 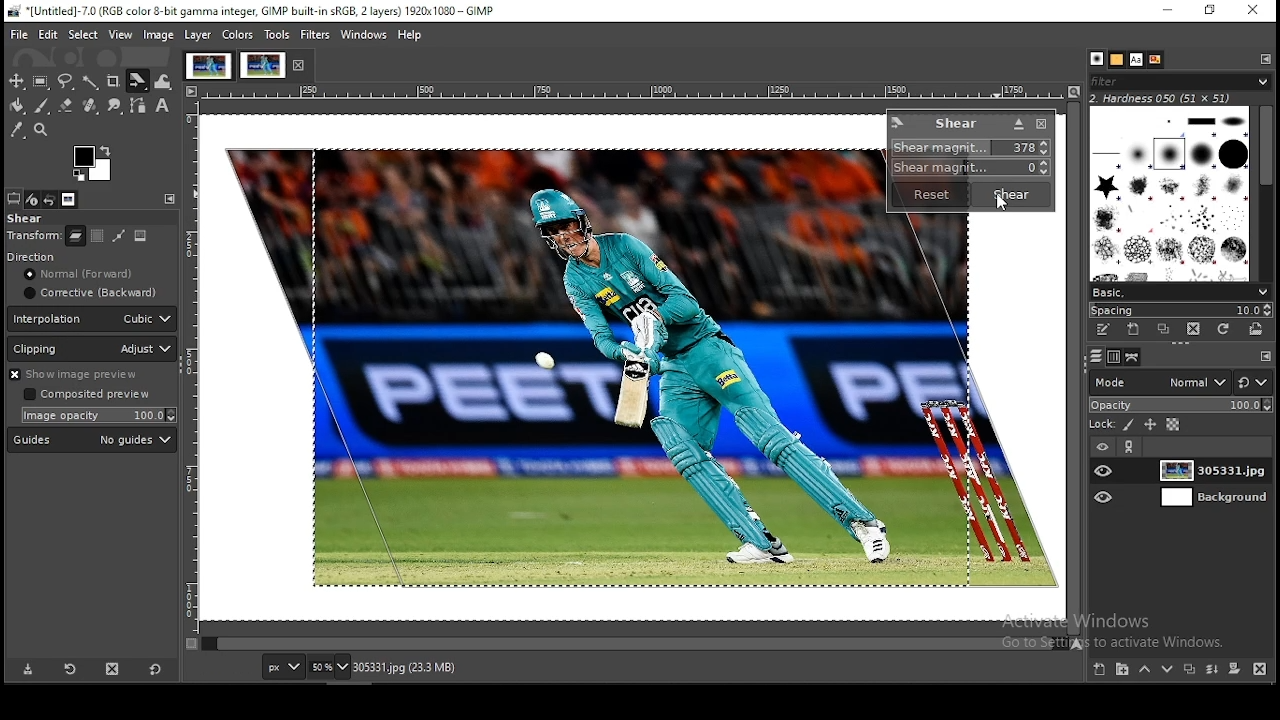 I want to click on paint bucket tool, so click(x=19, y=107).